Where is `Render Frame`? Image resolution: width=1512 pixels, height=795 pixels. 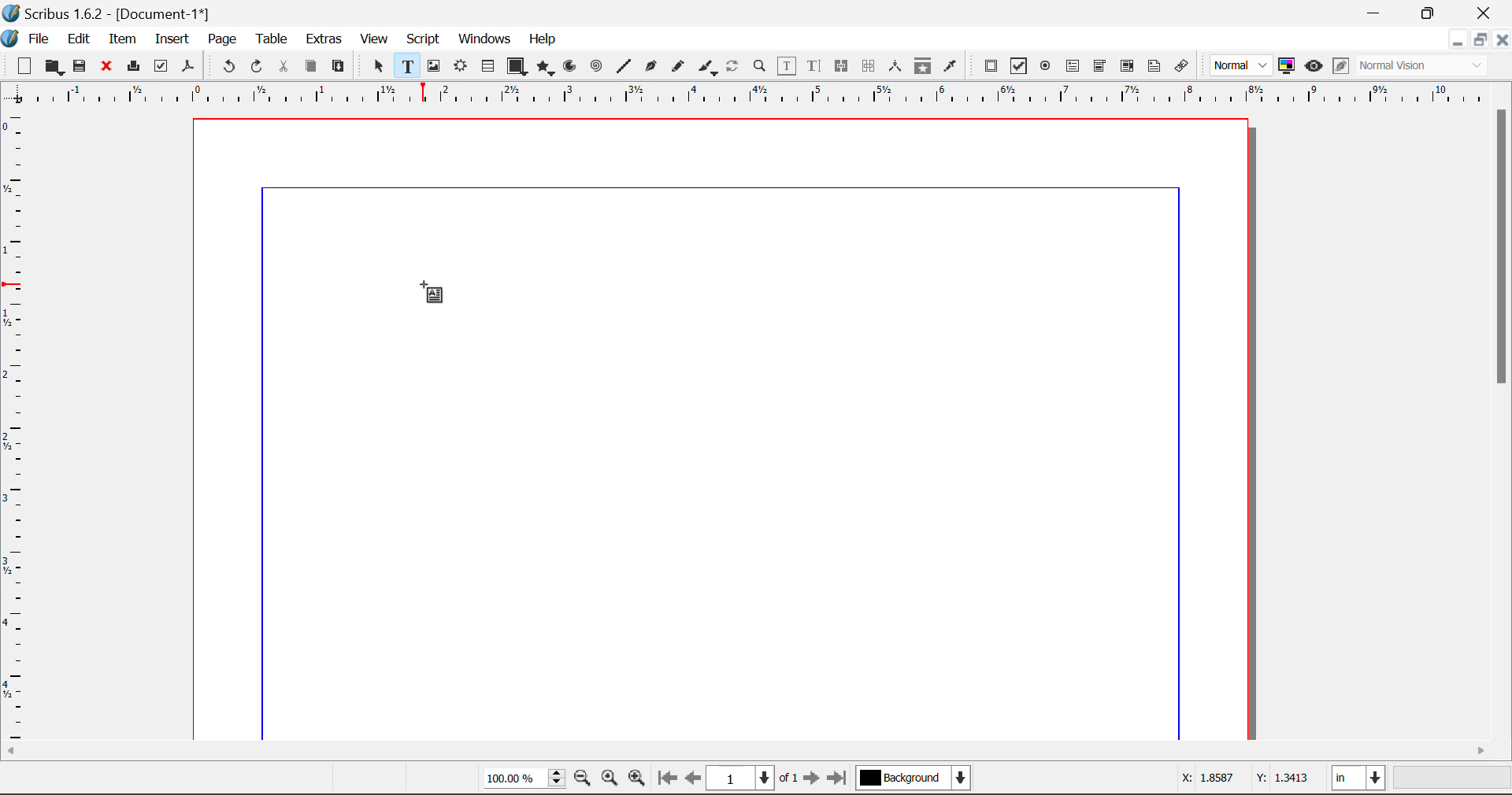 Render Frame is located at coordinates (460, 67).